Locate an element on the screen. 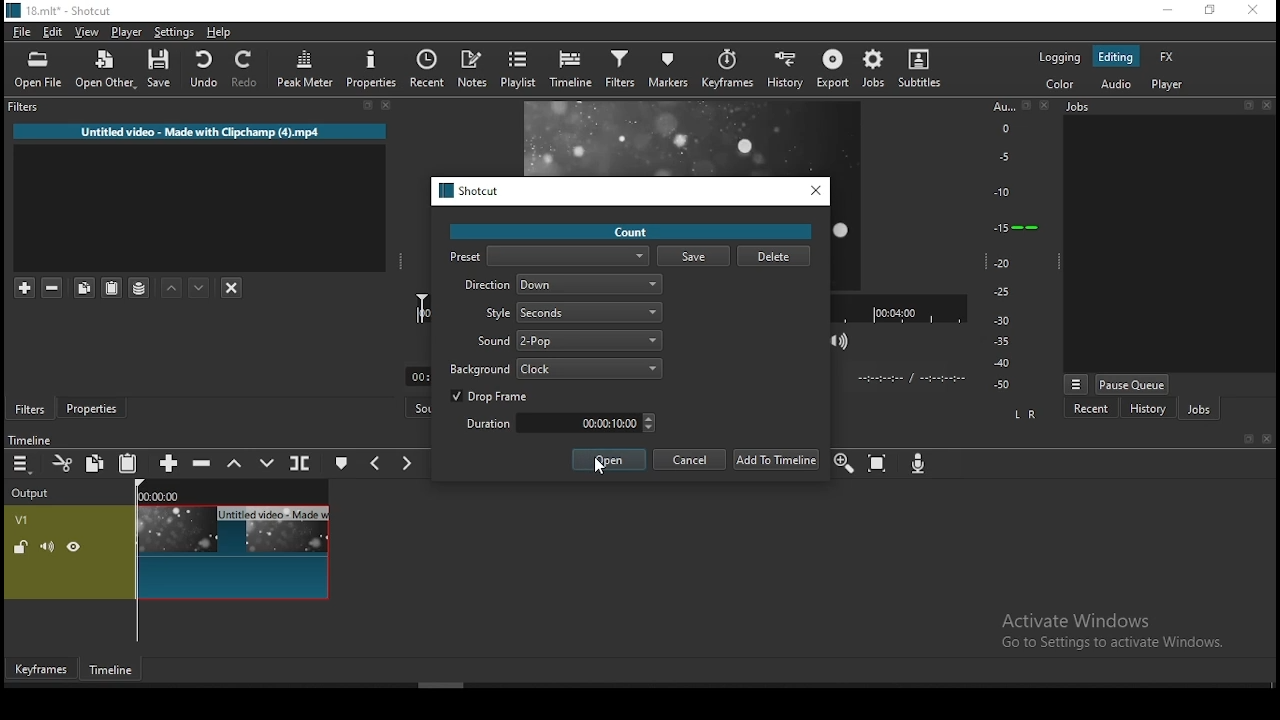 The height and width of the screenshot is (720, 1280). create/edit marker is located at coordinates (342, 463).